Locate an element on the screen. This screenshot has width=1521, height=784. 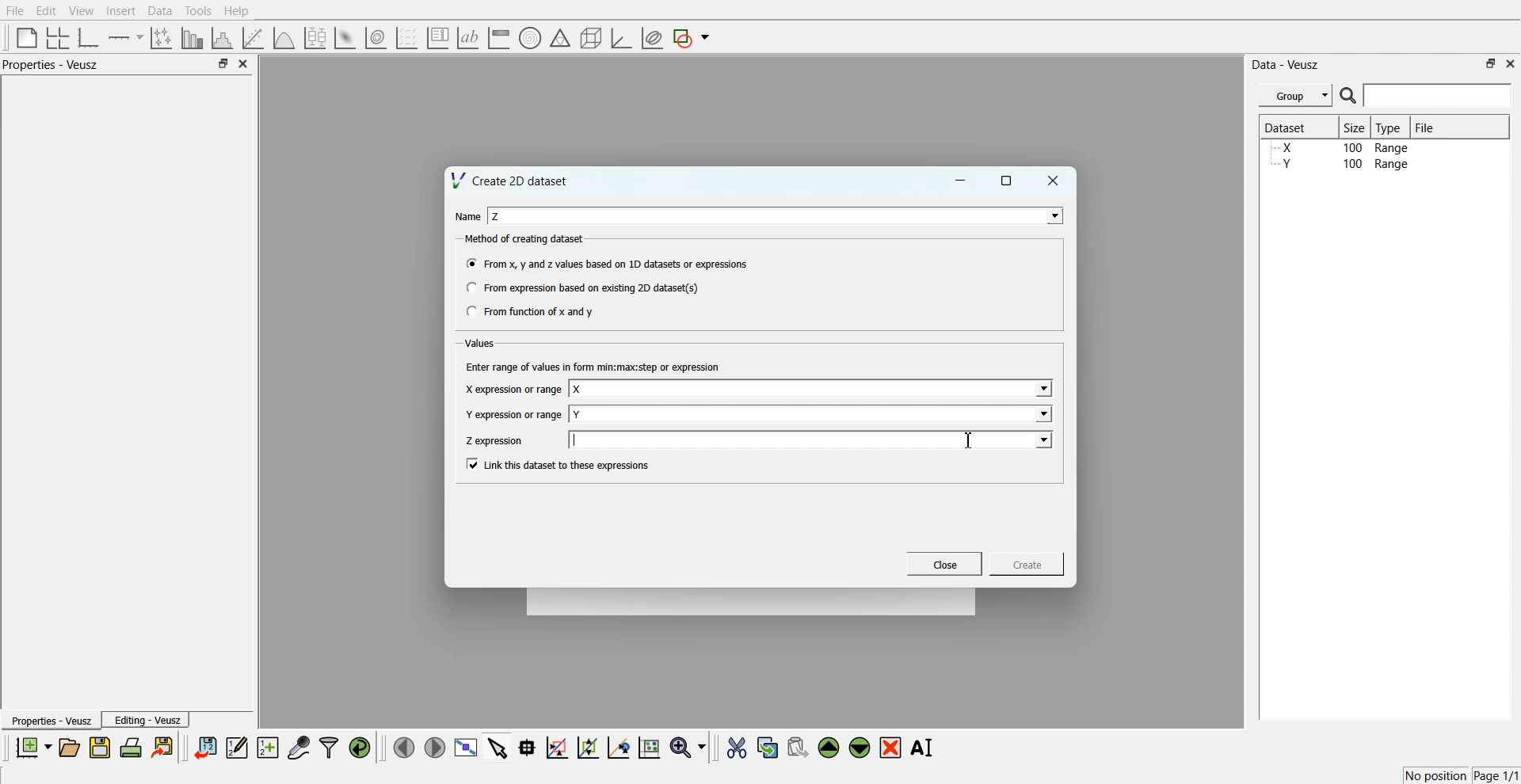
View is located at coordinates (82, 11).